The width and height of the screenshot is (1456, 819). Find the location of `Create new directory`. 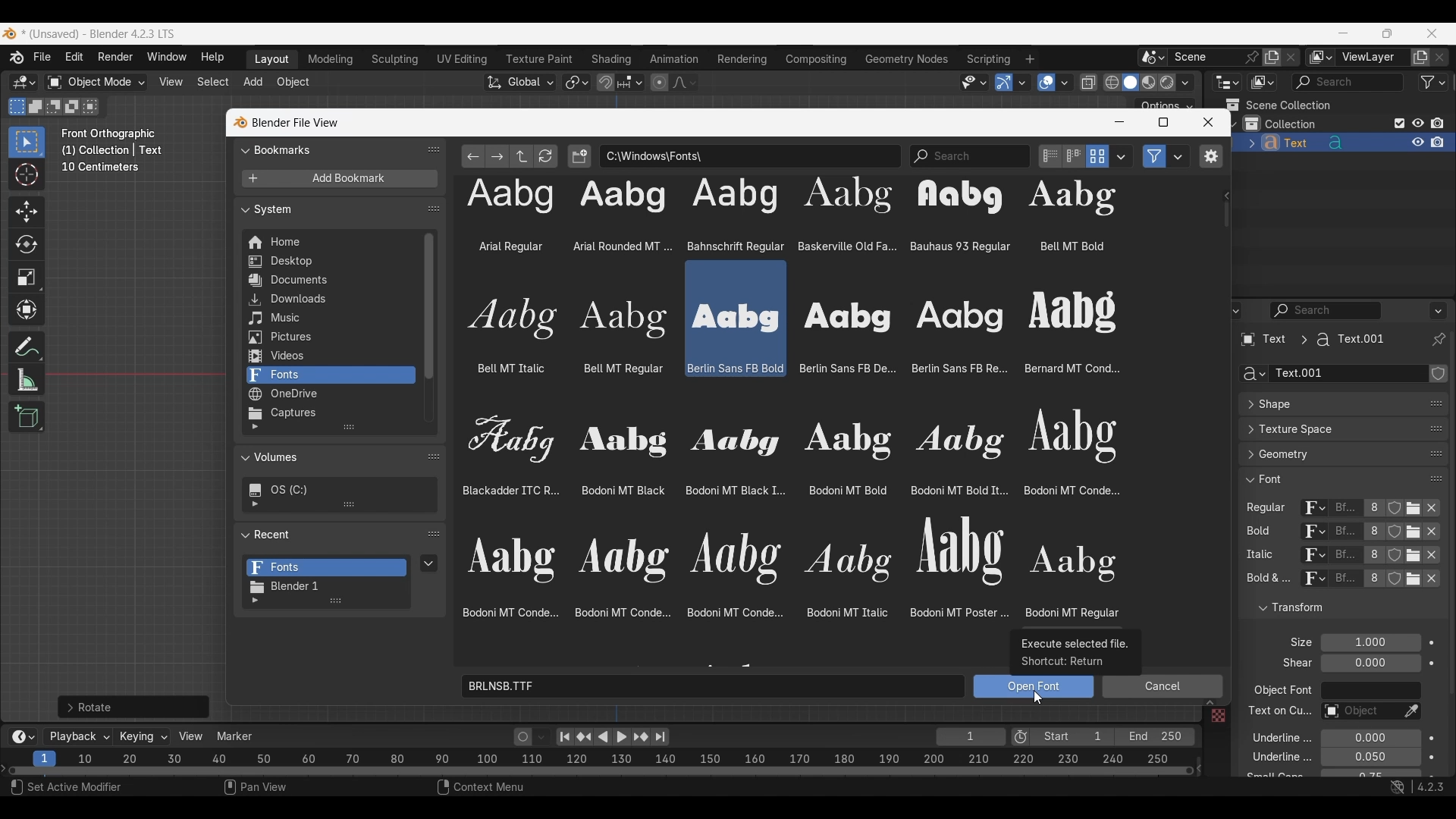

Create new directory is located at coordinates (579, 156).